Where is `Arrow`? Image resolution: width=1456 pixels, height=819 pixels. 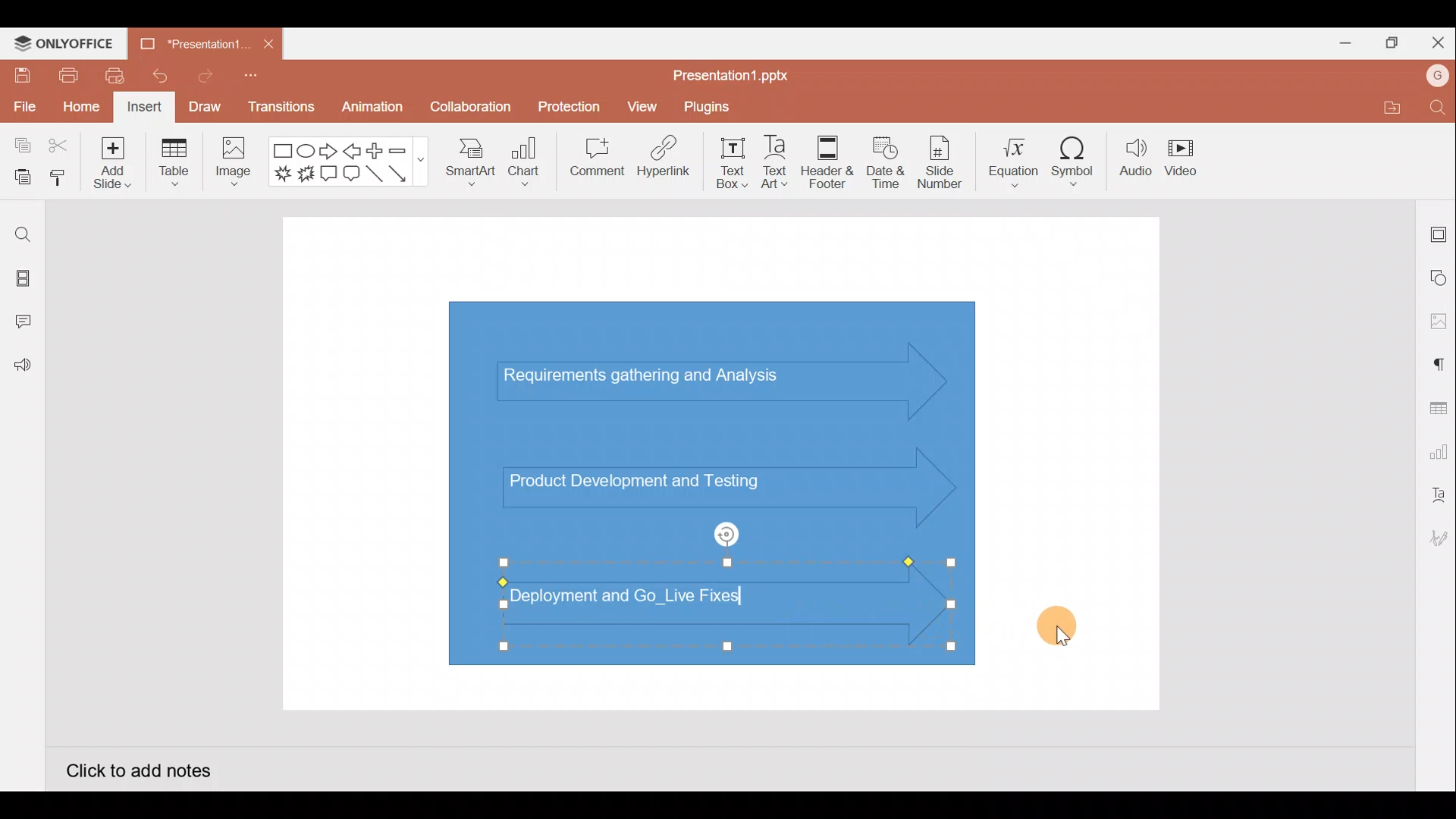 Arrow is located at coordinates (406, 174).